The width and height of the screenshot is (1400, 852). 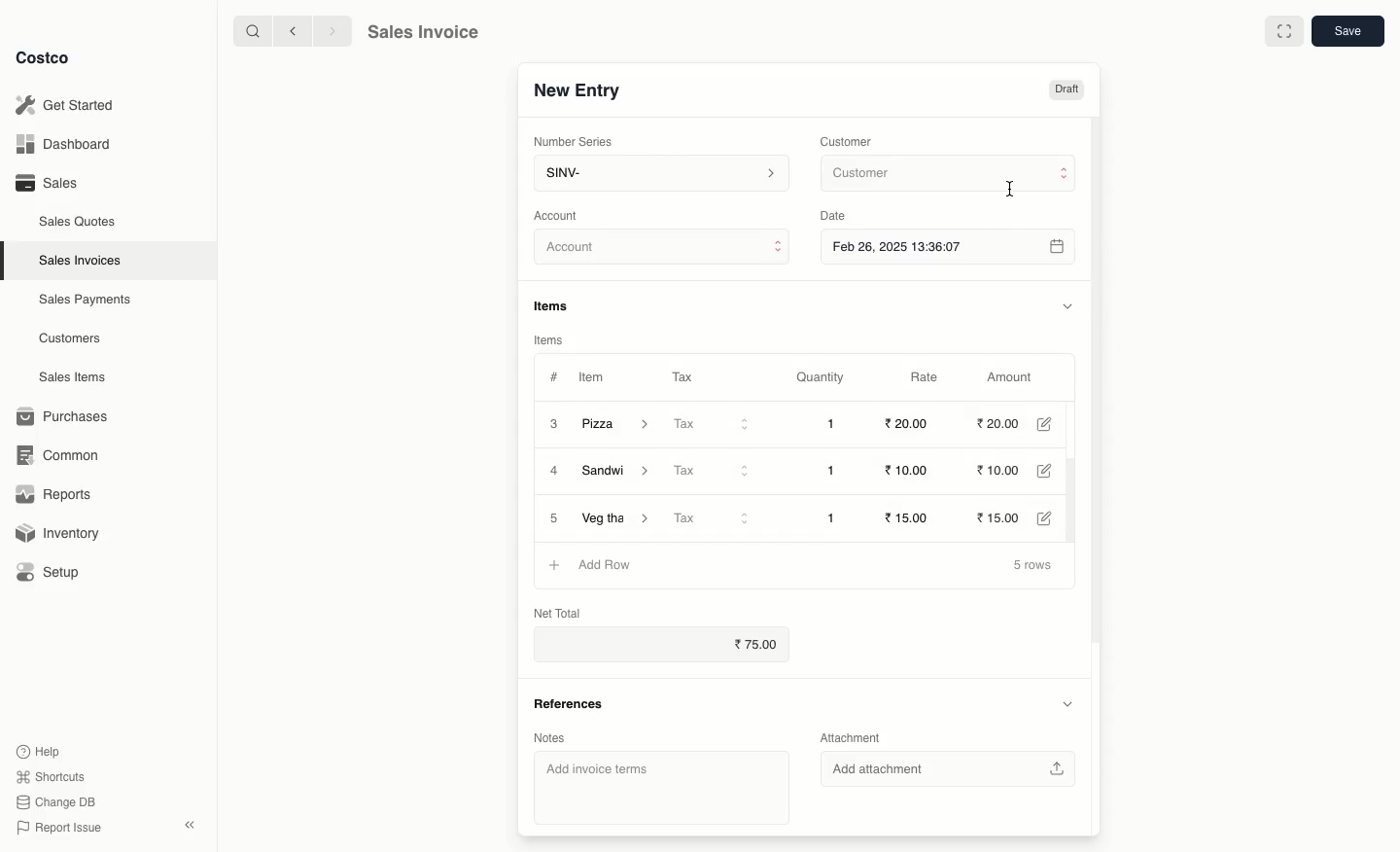 I want to click on Attachment, so click(x=852, y=739).